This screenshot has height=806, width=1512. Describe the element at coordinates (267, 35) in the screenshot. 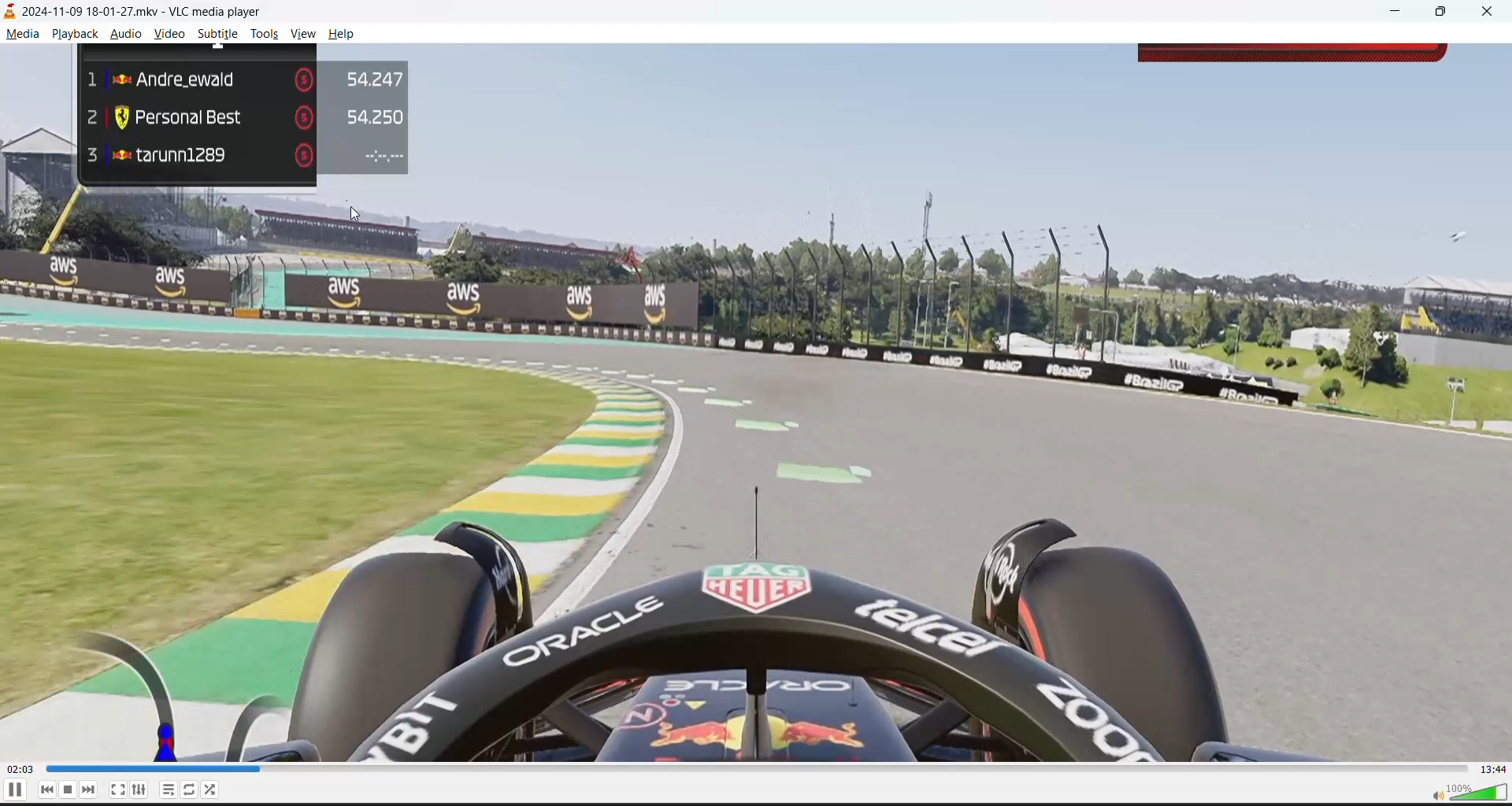

I see `tools` at that location.